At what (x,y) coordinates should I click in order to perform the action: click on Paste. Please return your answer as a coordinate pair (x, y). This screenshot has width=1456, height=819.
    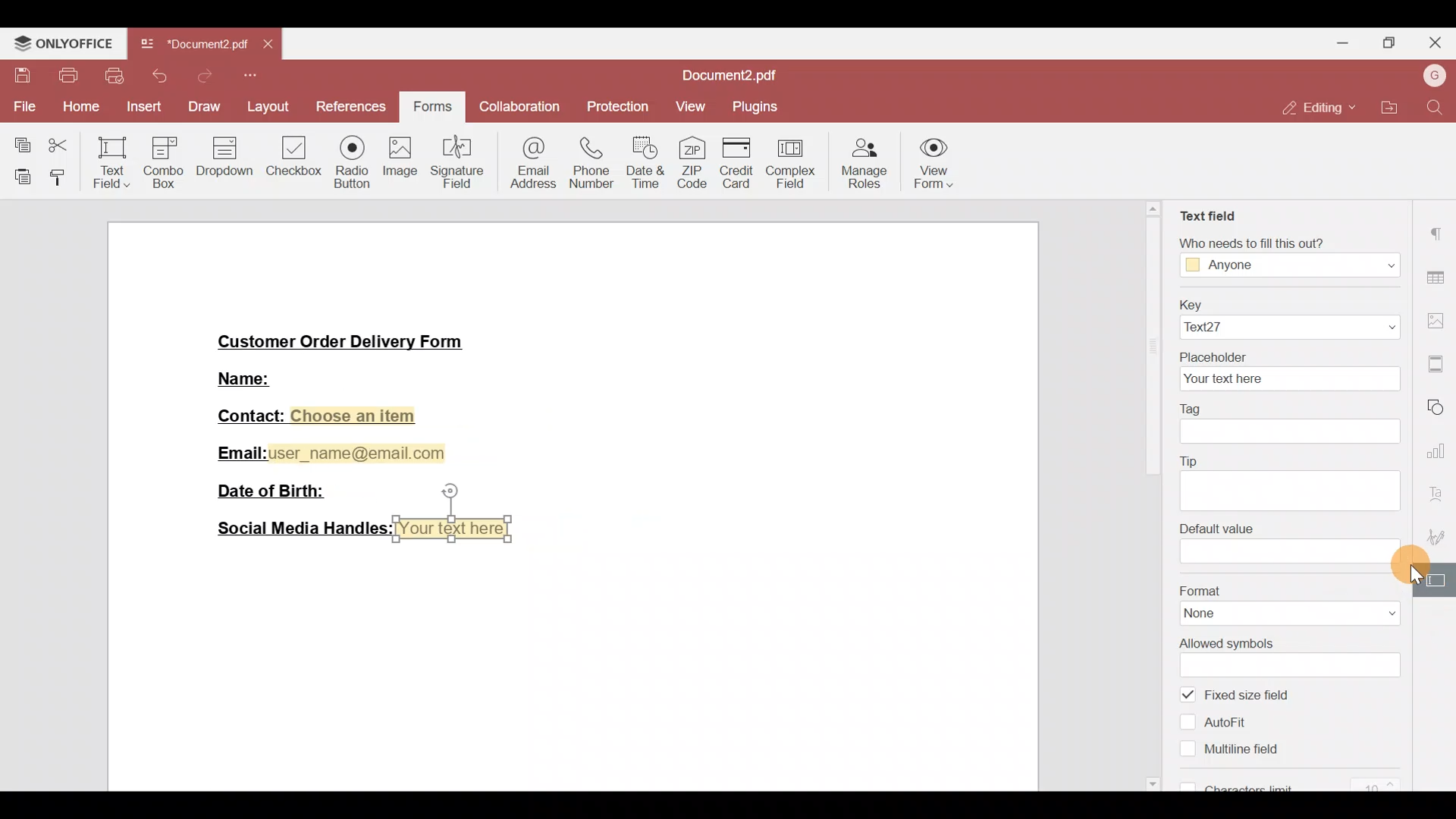
    Looking at the image, I should click on (17, 177).